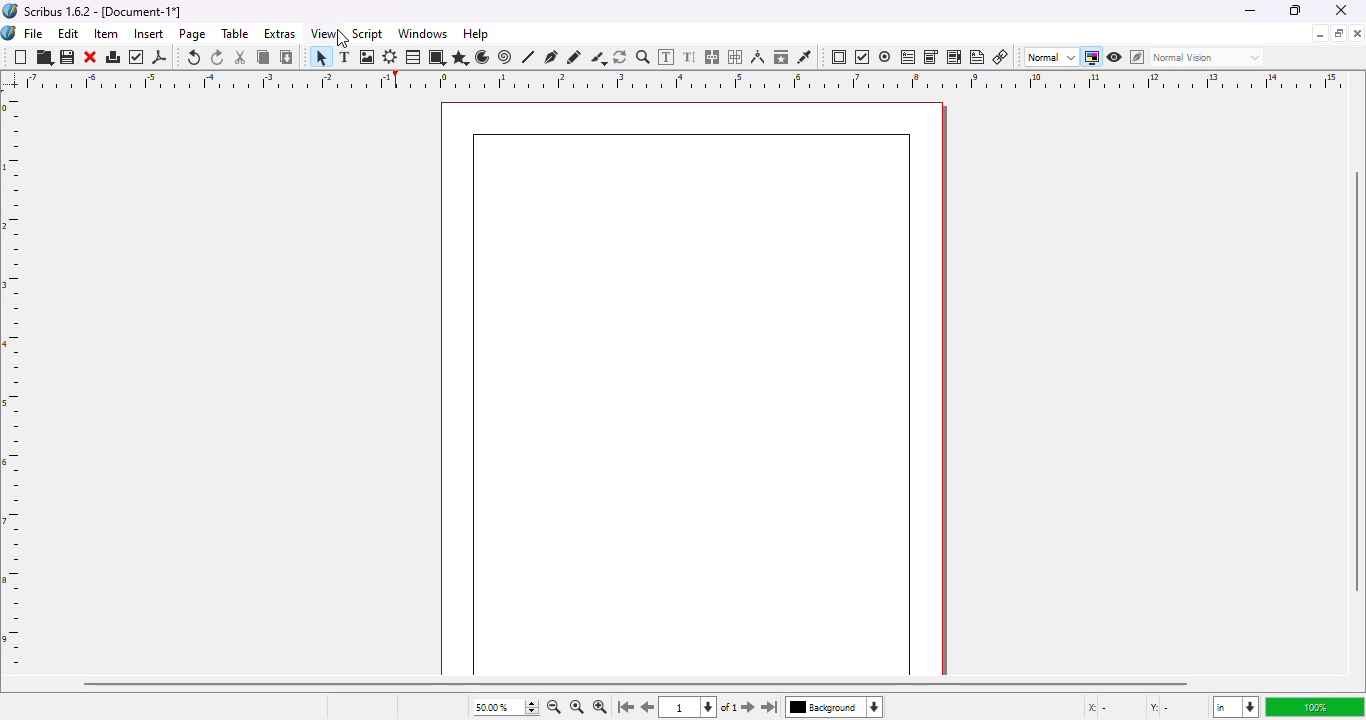 The height and width of the screenshot is (720, 1366). What do you see at coordinates (773, 709) in the screenshot?
I see `go to the last page` at bounding box center [773, 709].